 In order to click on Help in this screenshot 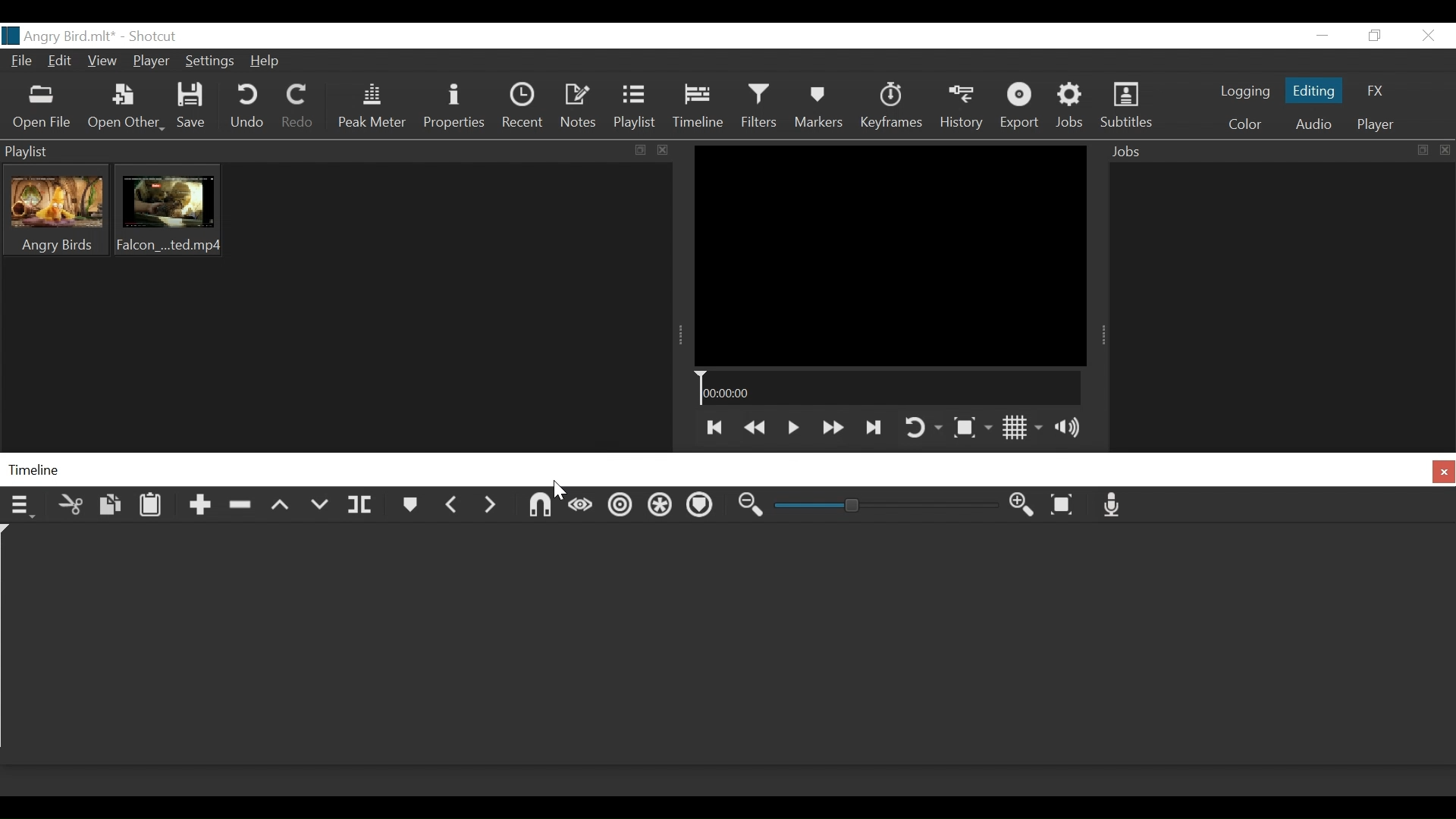, I will do `click(266, 63)`.